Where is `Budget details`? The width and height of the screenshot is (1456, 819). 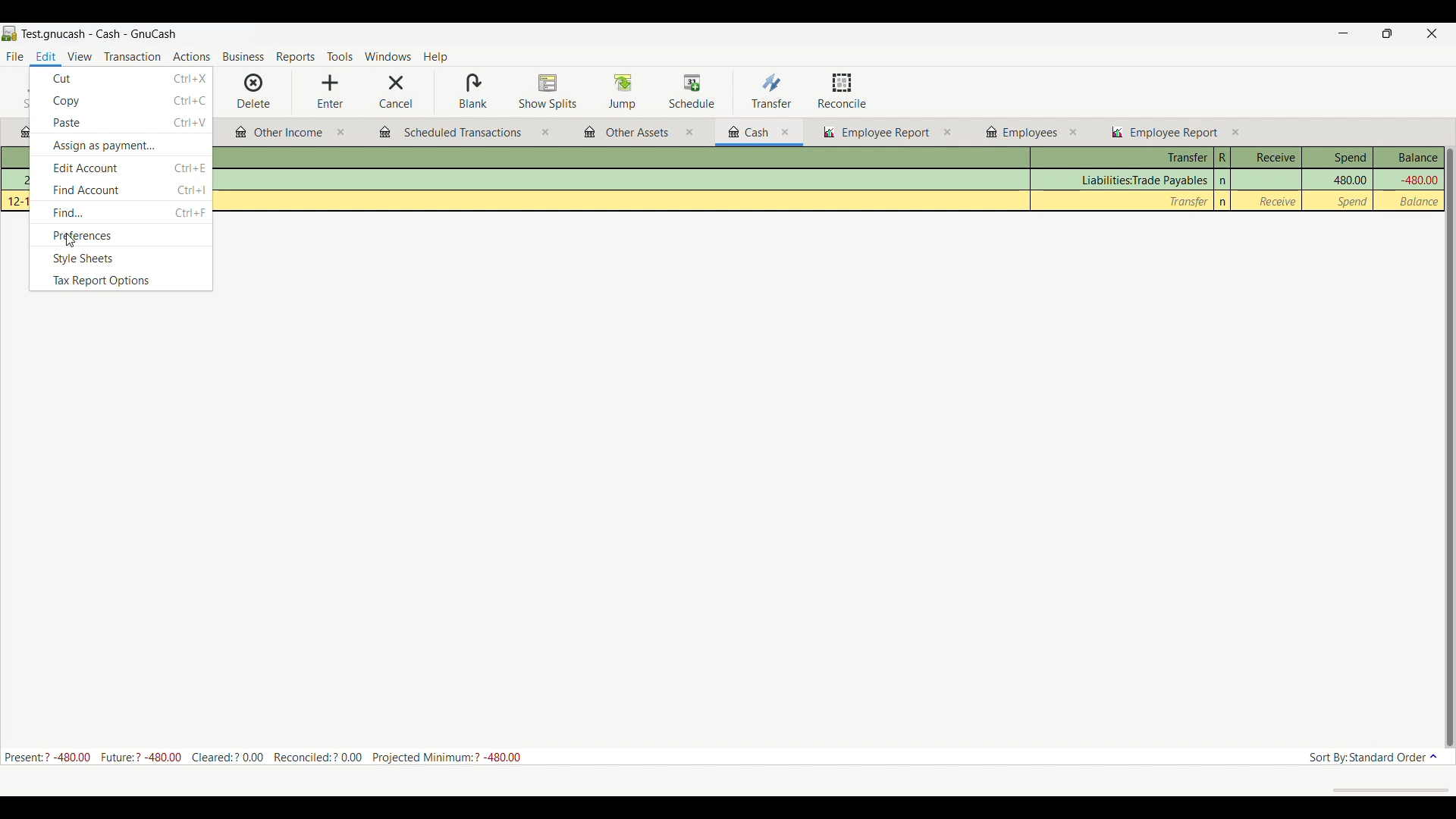 Budget details is located at coordinates (262, 757).